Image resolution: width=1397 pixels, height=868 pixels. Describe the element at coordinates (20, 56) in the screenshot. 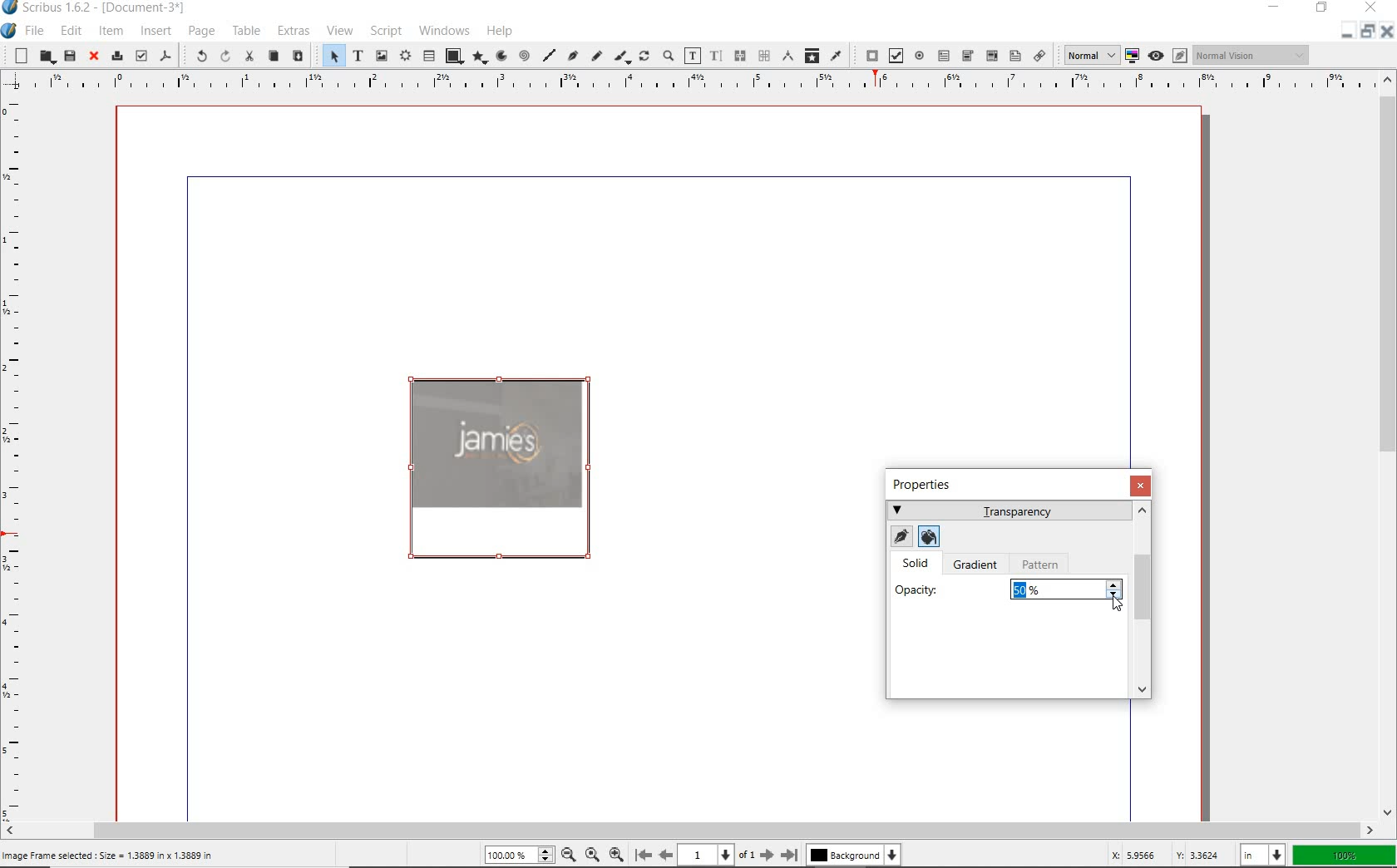

I see `new` at that location.